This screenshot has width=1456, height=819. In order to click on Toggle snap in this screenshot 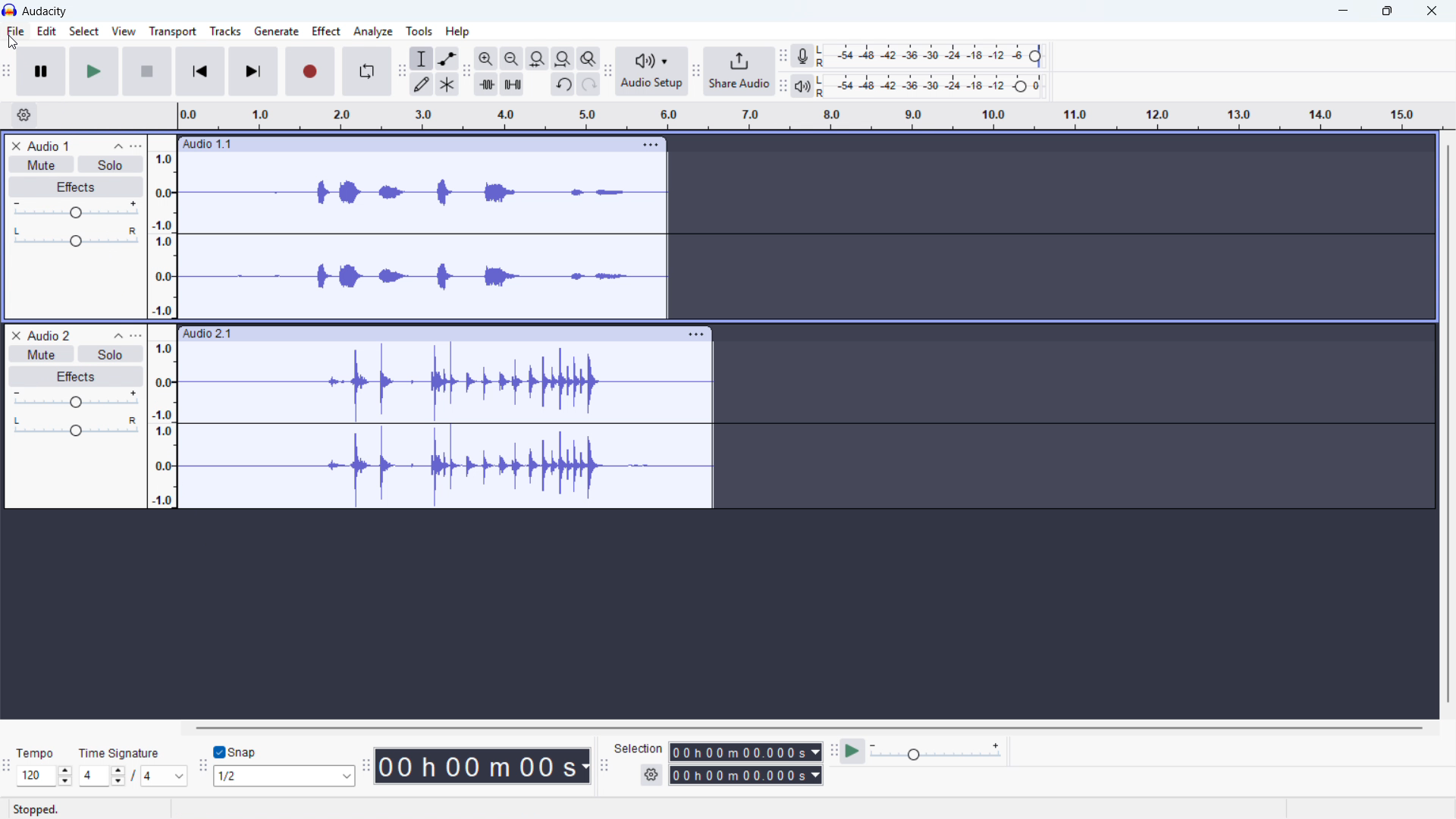, I will do `click(237, 752)`.